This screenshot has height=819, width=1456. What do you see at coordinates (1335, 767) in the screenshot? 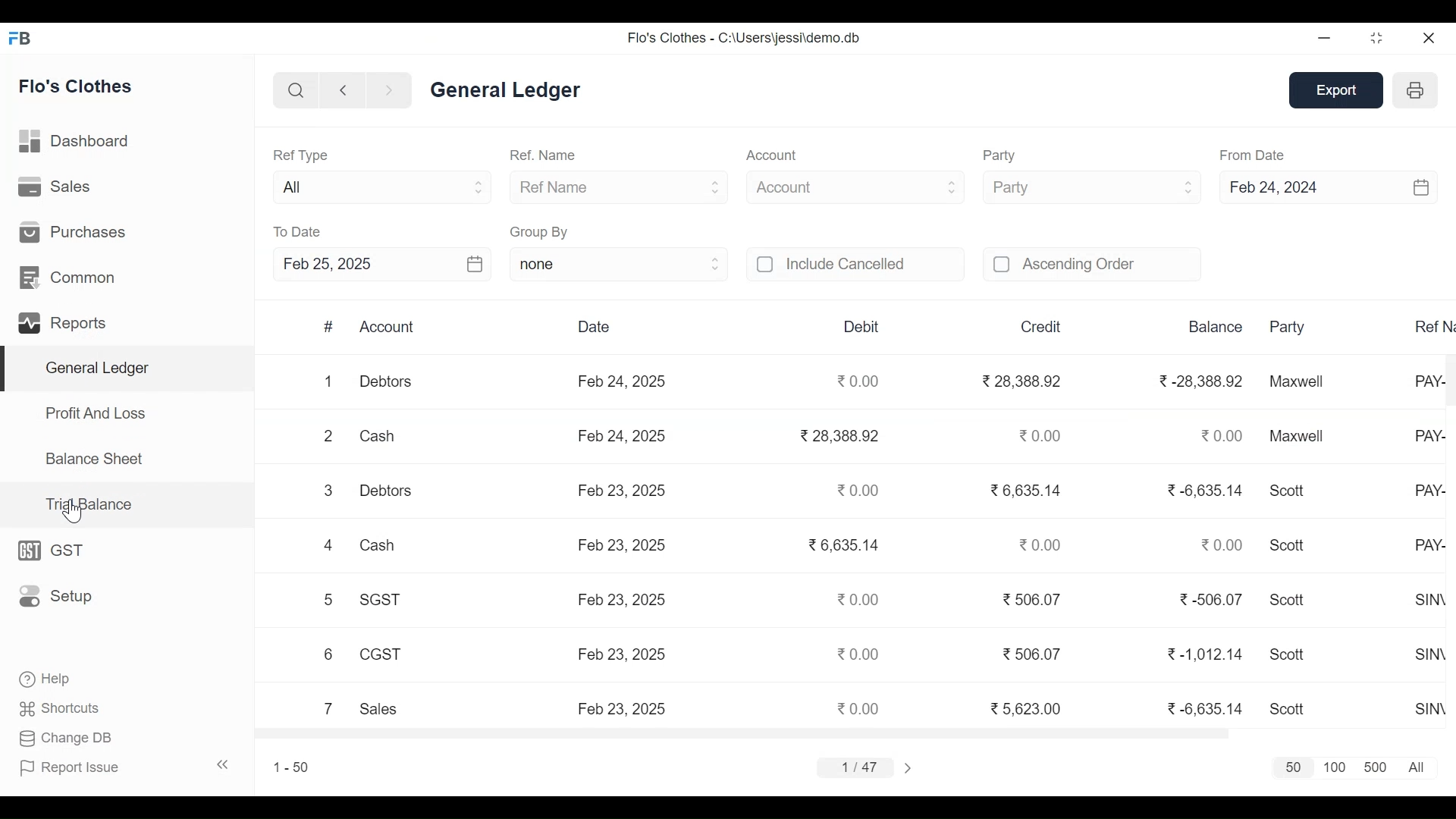
I see `100` at bounding box center [1335, 767].